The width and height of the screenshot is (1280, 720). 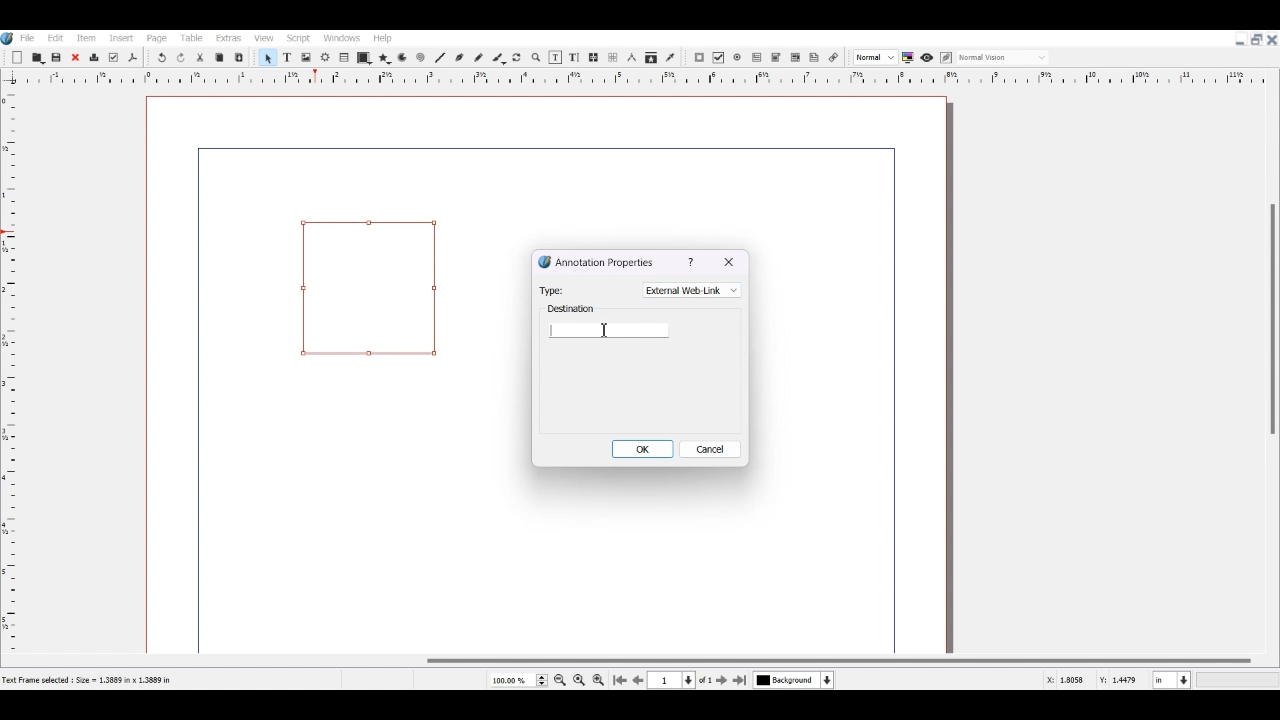 What do you see at coordinates (579, 679) in the screenshot?
I see `Zoom to 100%` at bounding box center [579, 679].